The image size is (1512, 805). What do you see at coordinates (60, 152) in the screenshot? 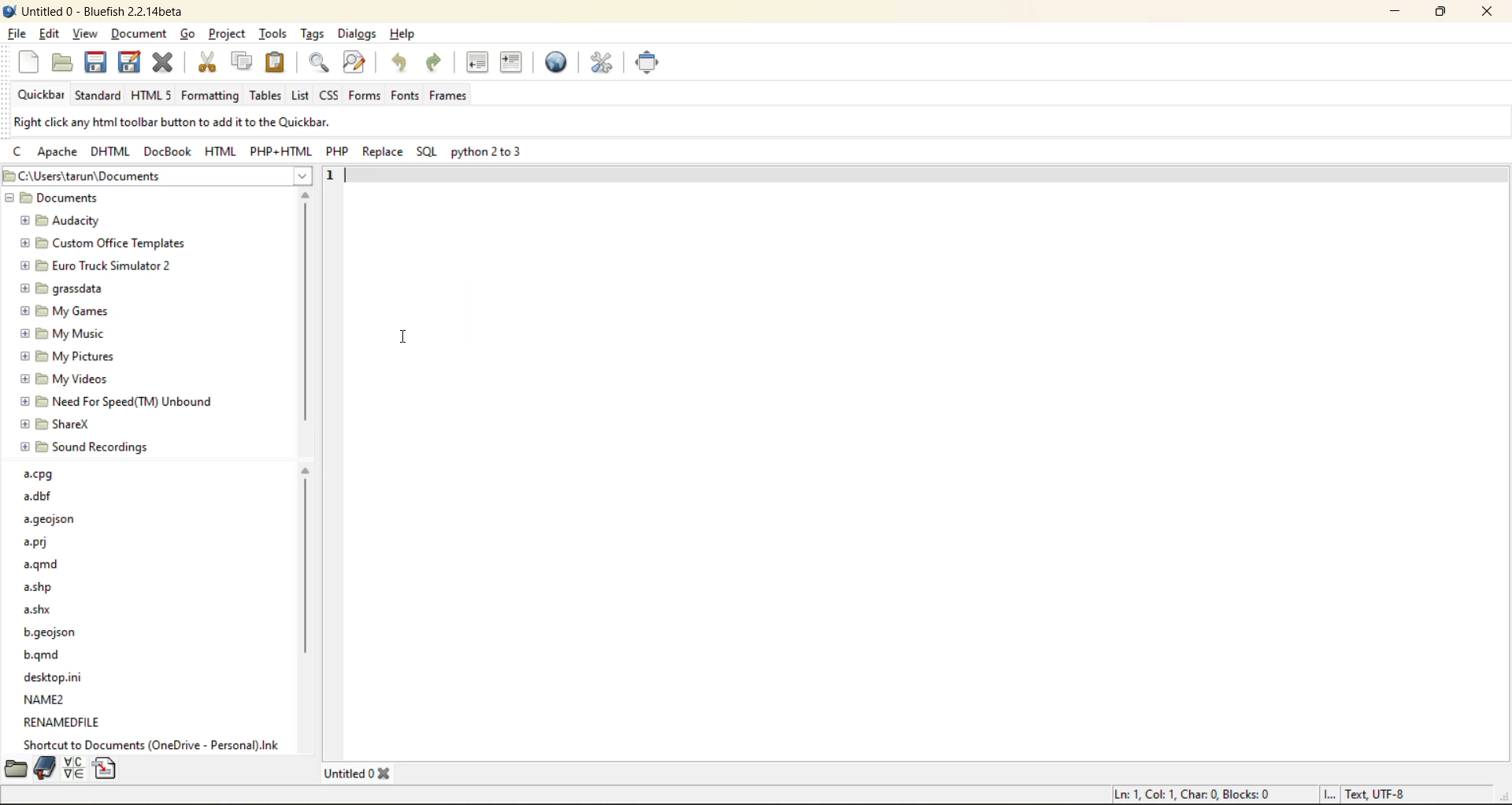
I see `apache` at bounding box center [60, 152].